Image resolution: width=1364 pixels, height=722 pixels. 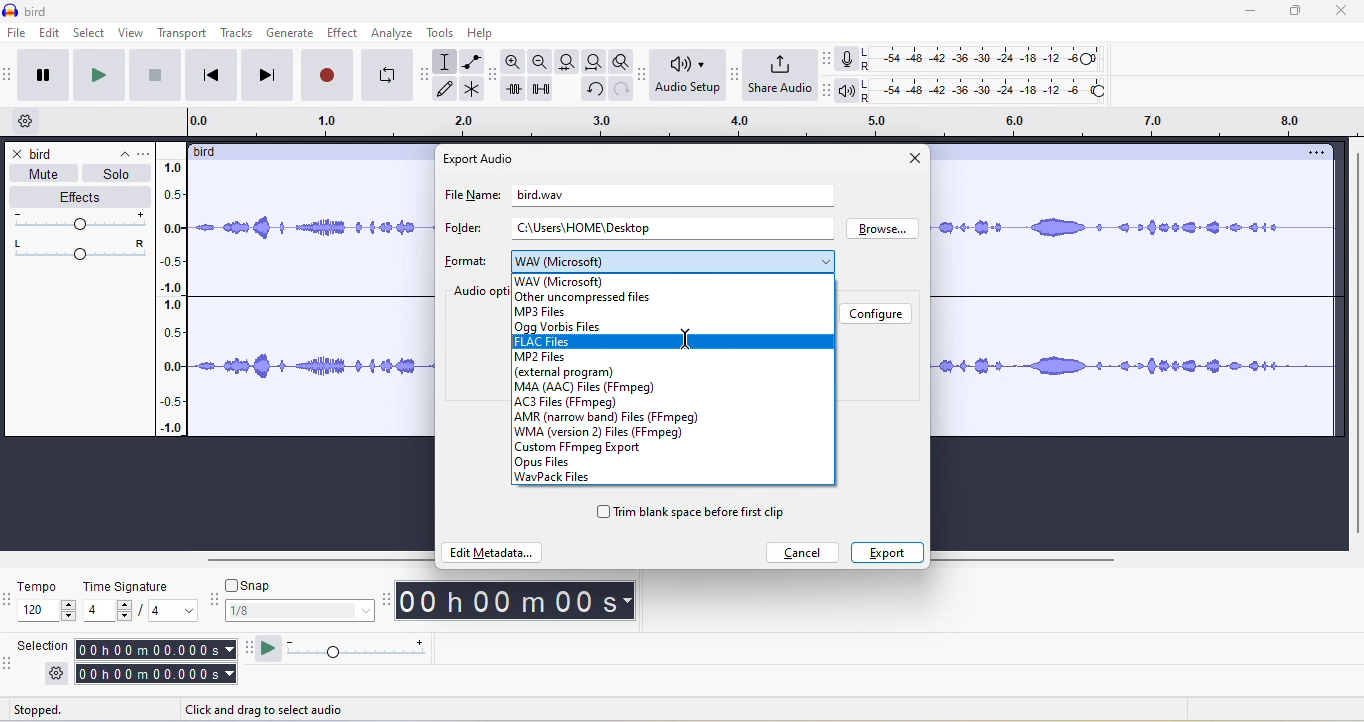 I want to click on open menu, so click(x=148, y=152).